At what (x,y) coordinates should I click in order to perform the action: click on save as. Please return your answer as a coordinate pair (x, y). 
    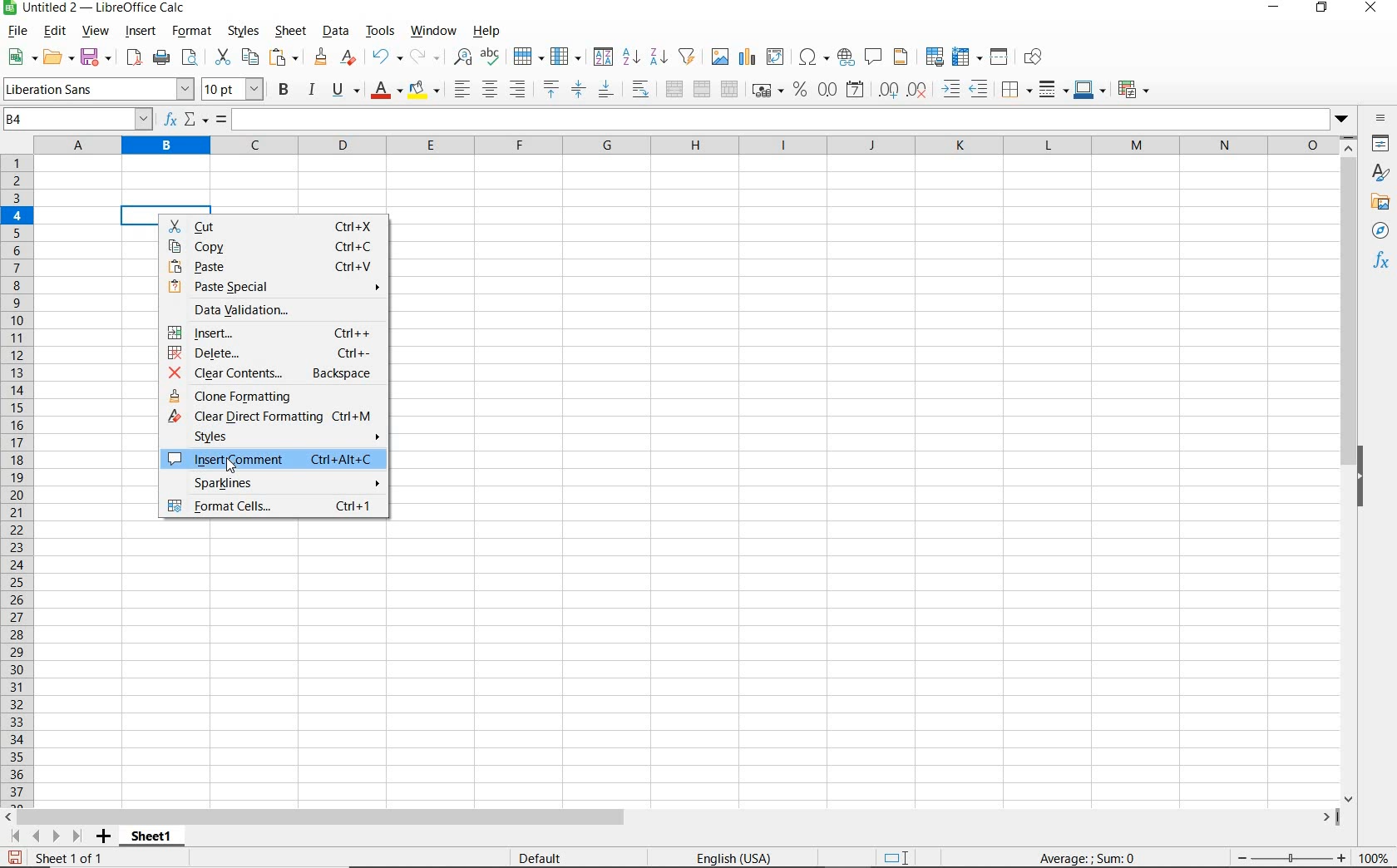
    Looking at the image, I should click on (16, 860).